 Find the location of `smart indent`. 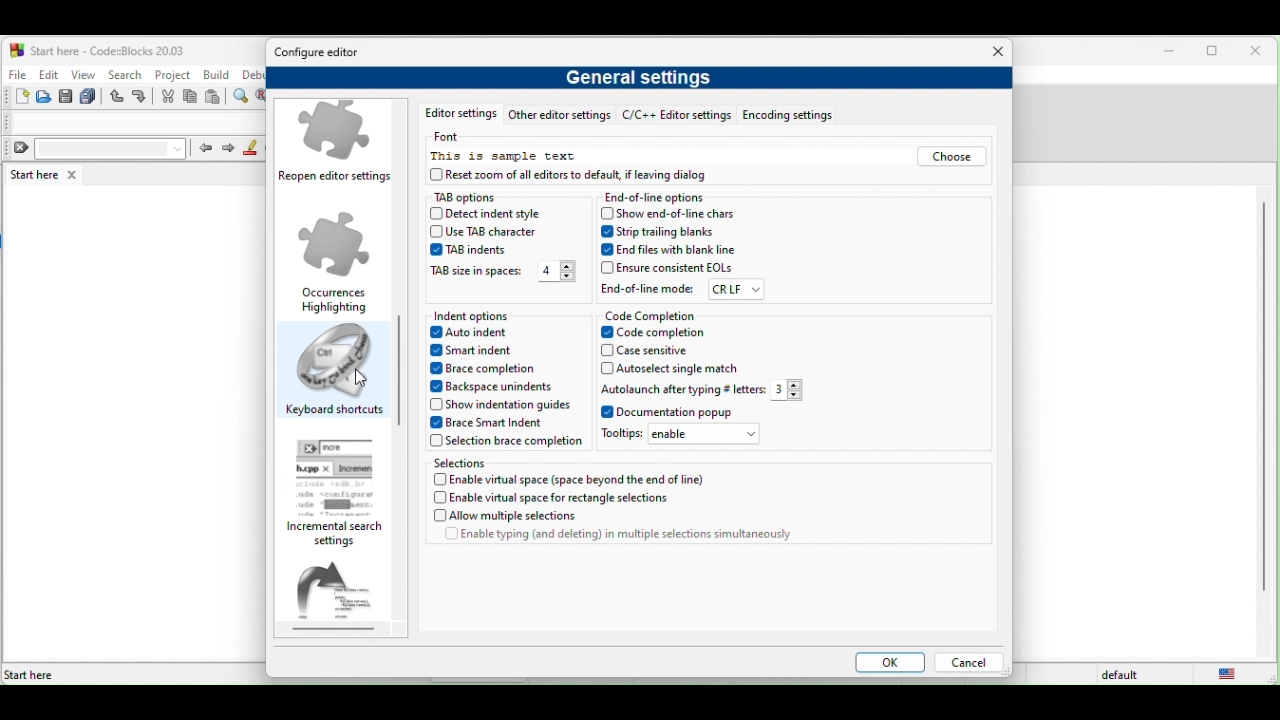

smart indent is located at coordinates (480, 352).